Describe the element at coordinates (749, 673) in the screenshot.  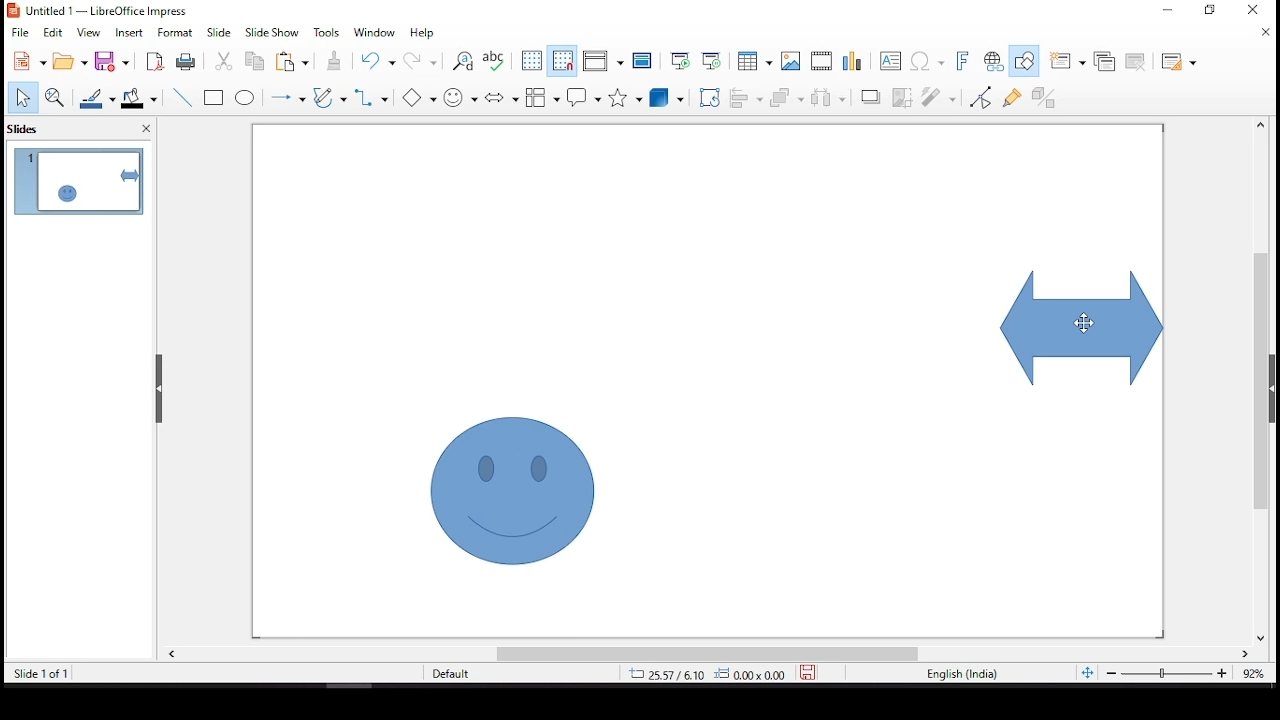
I see `0.00x0.00` at that location.